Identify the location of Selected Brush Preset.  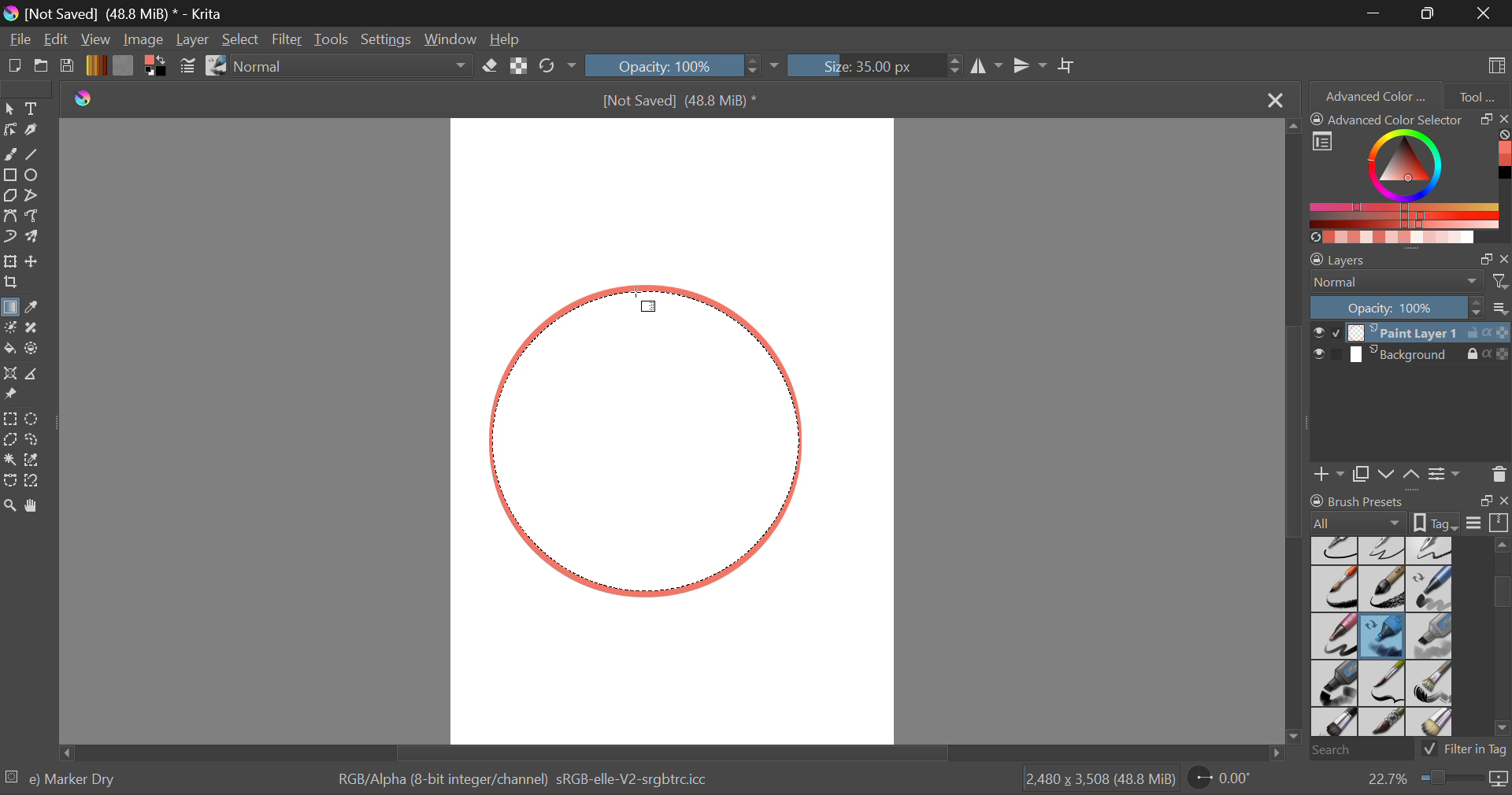
(65, 777).